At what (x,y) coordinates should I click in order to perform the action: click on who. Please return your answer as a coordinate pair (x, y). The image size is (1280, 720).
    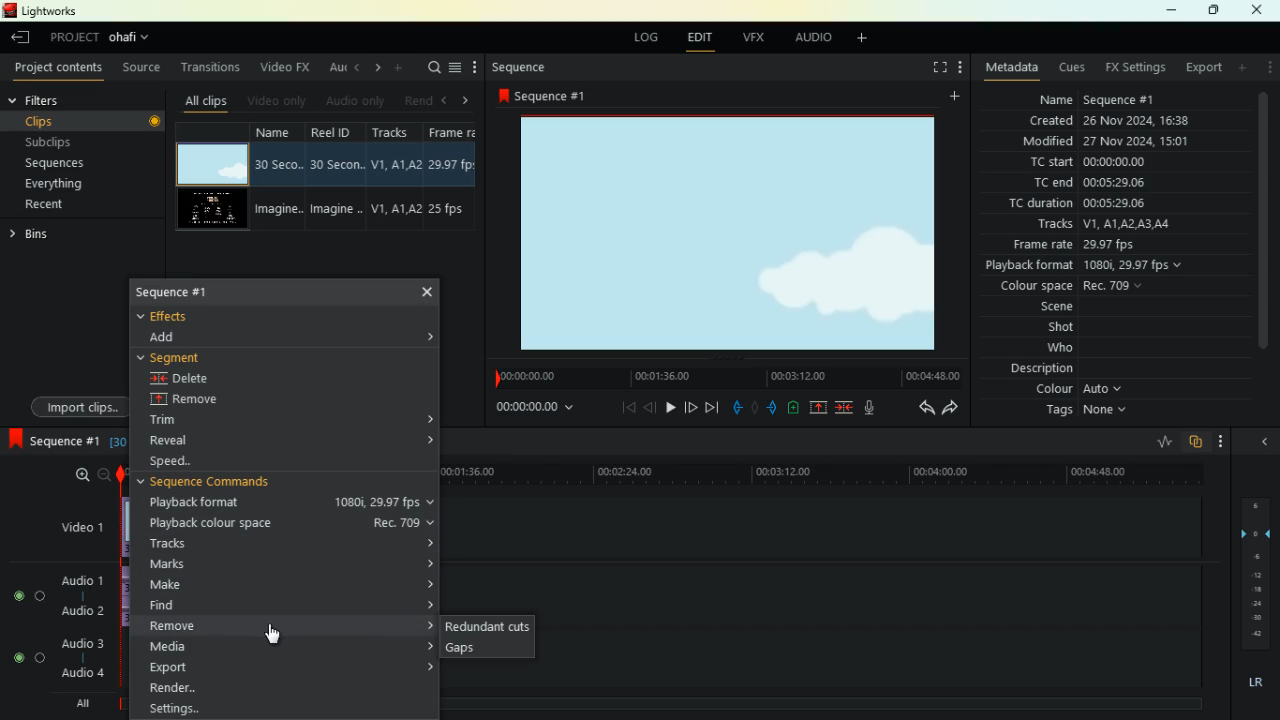
    Looking at the image, I should click on (1066, 348).